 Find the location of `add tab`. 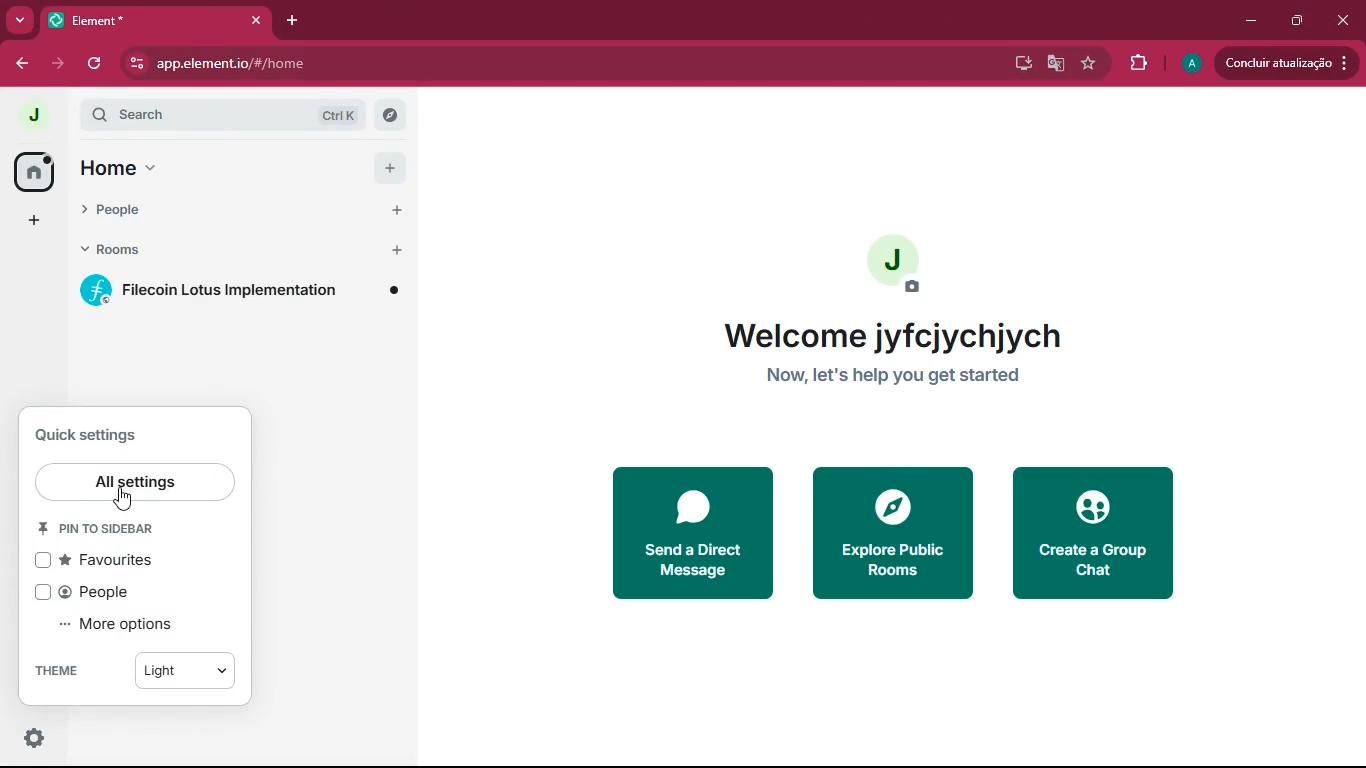

add tab is located at coordinates (294, 20).